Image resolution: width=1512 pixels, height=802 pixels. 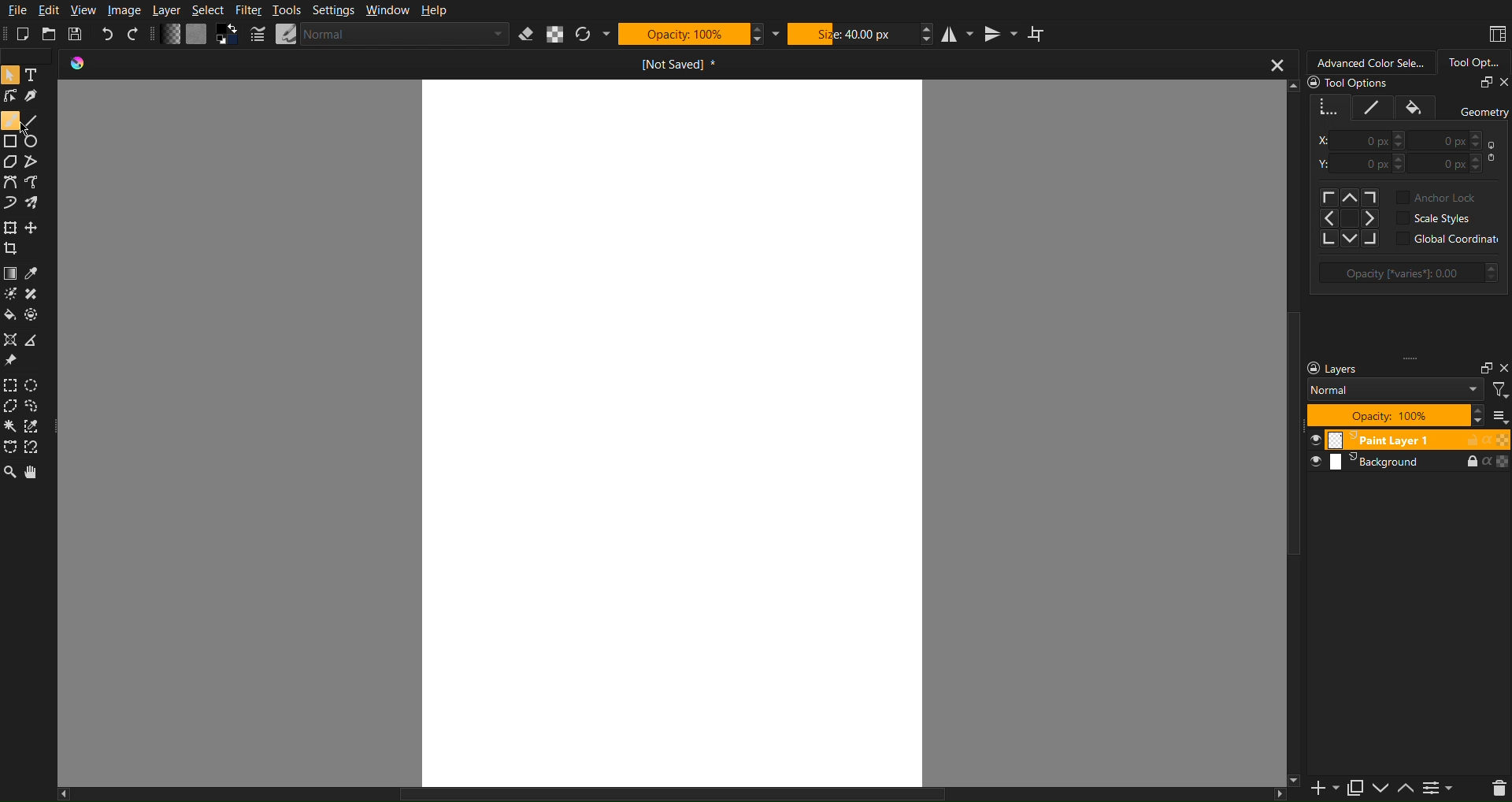 I want to click on Tool Options, so click(x=1473, y=62).